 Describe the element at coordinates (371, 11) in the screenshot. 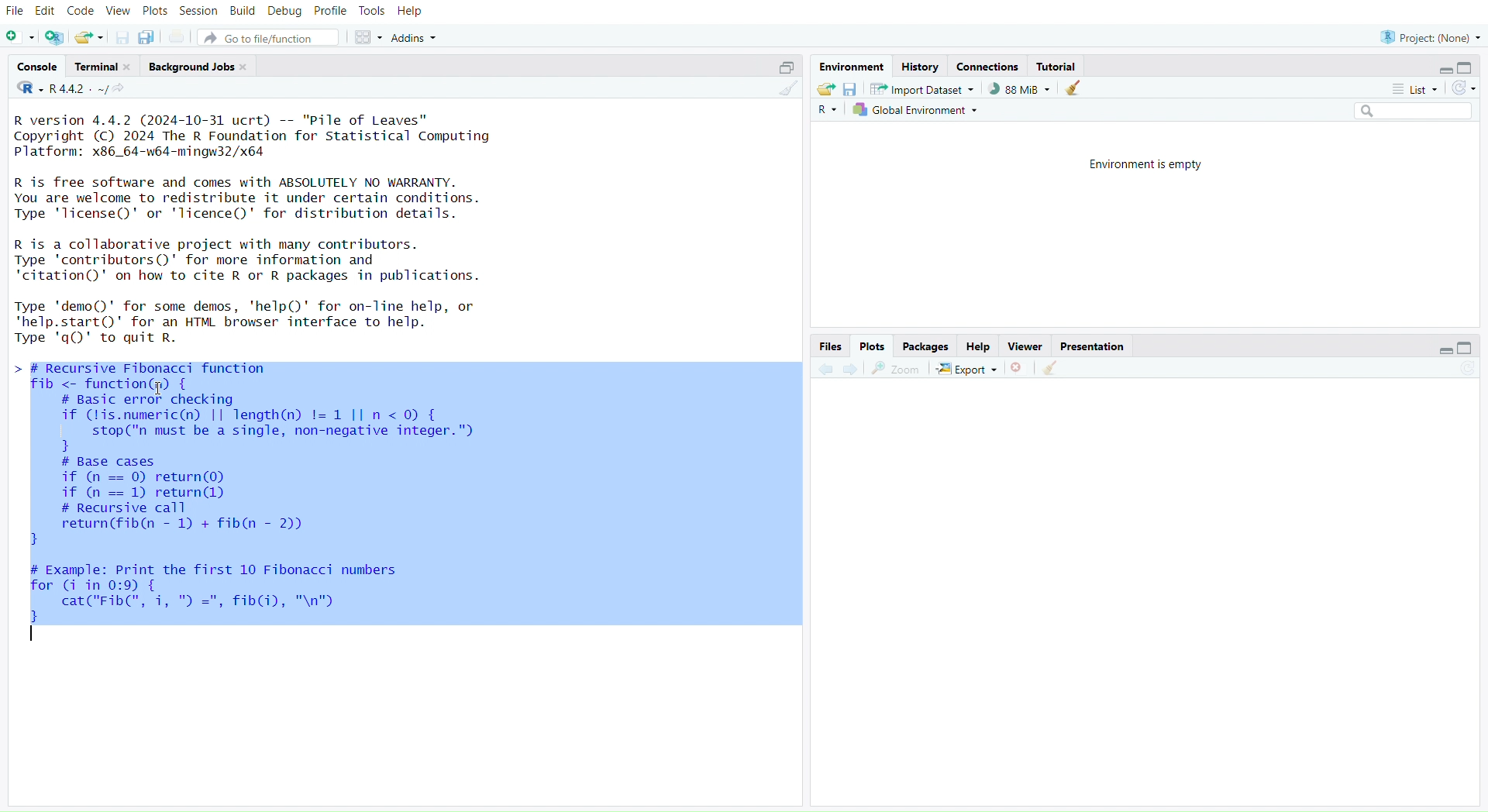

I see `tools` at that location.